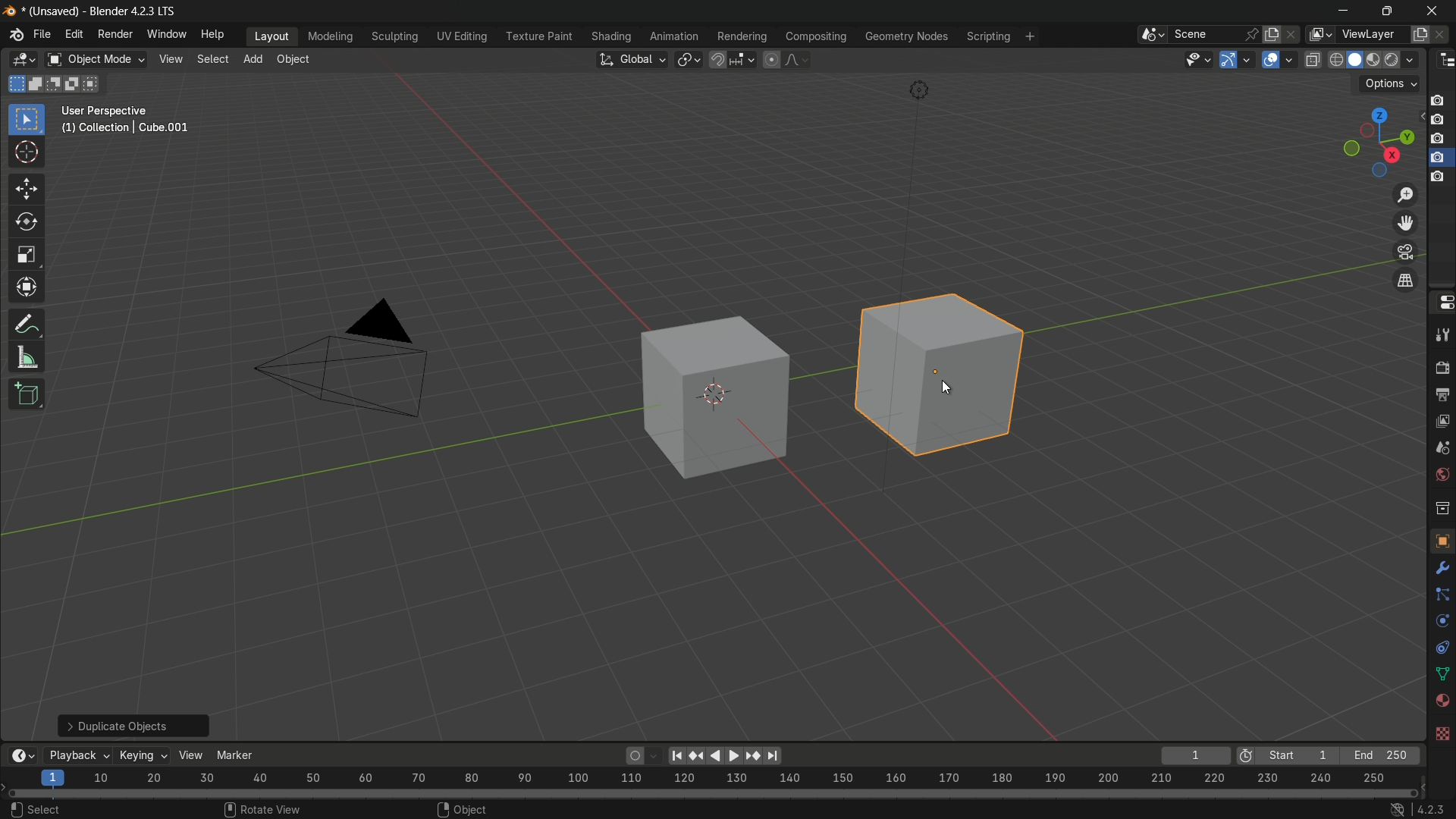 The height and width of the screenshot is (819, 1456). What do you see at coordinates (27, 118) in the screenshot?
I see `select box` at bounding box center [27, 118].